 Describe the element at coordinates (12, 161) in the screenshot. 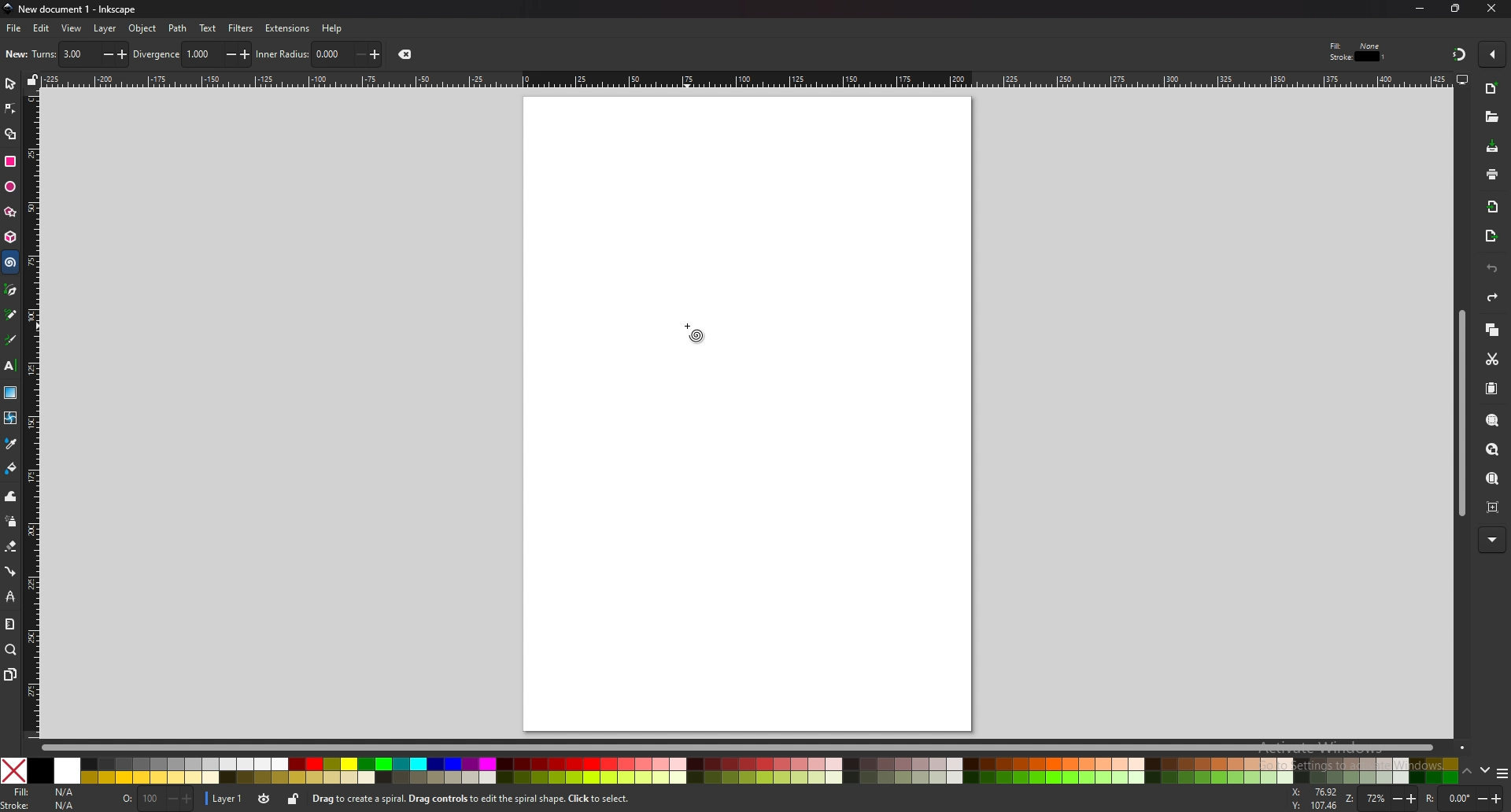

I see `rectangle` at that location.